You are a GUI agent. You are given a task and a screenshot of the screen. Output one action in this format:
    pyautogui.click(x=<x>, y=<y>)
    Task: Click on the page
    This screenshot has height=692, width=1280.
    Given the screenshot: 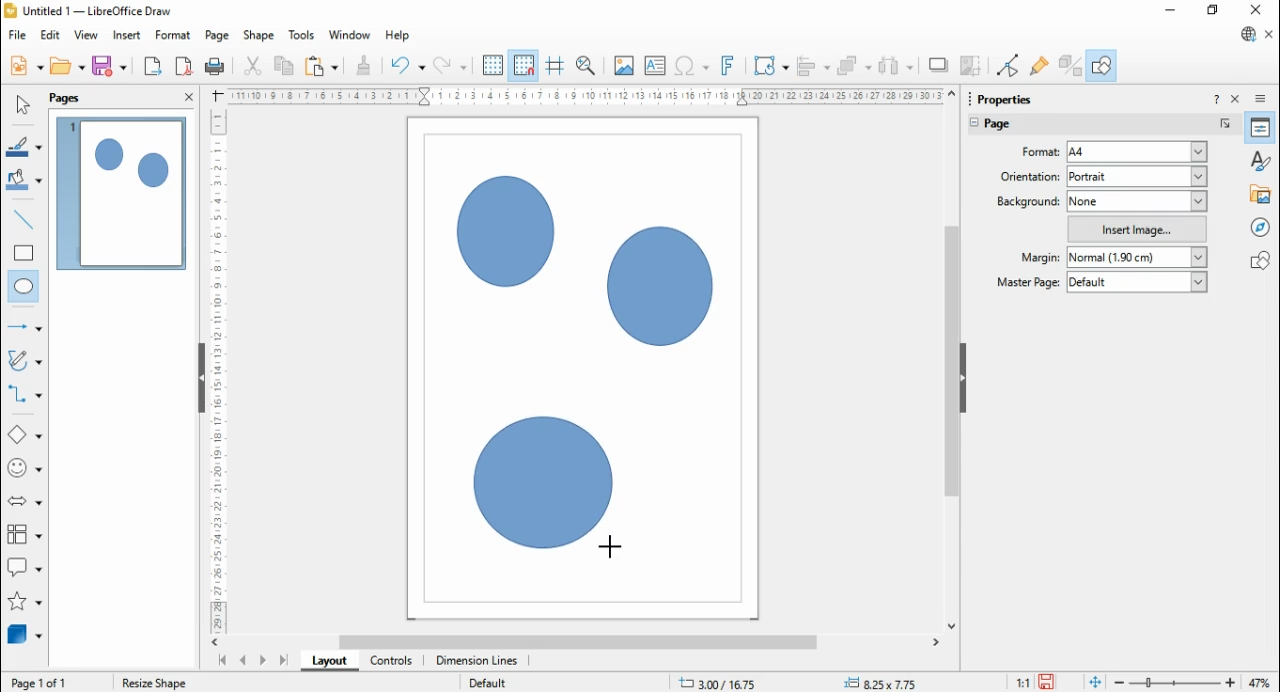 What is the action you would take?
    pyautogui.click(x=1011, y=126)
    